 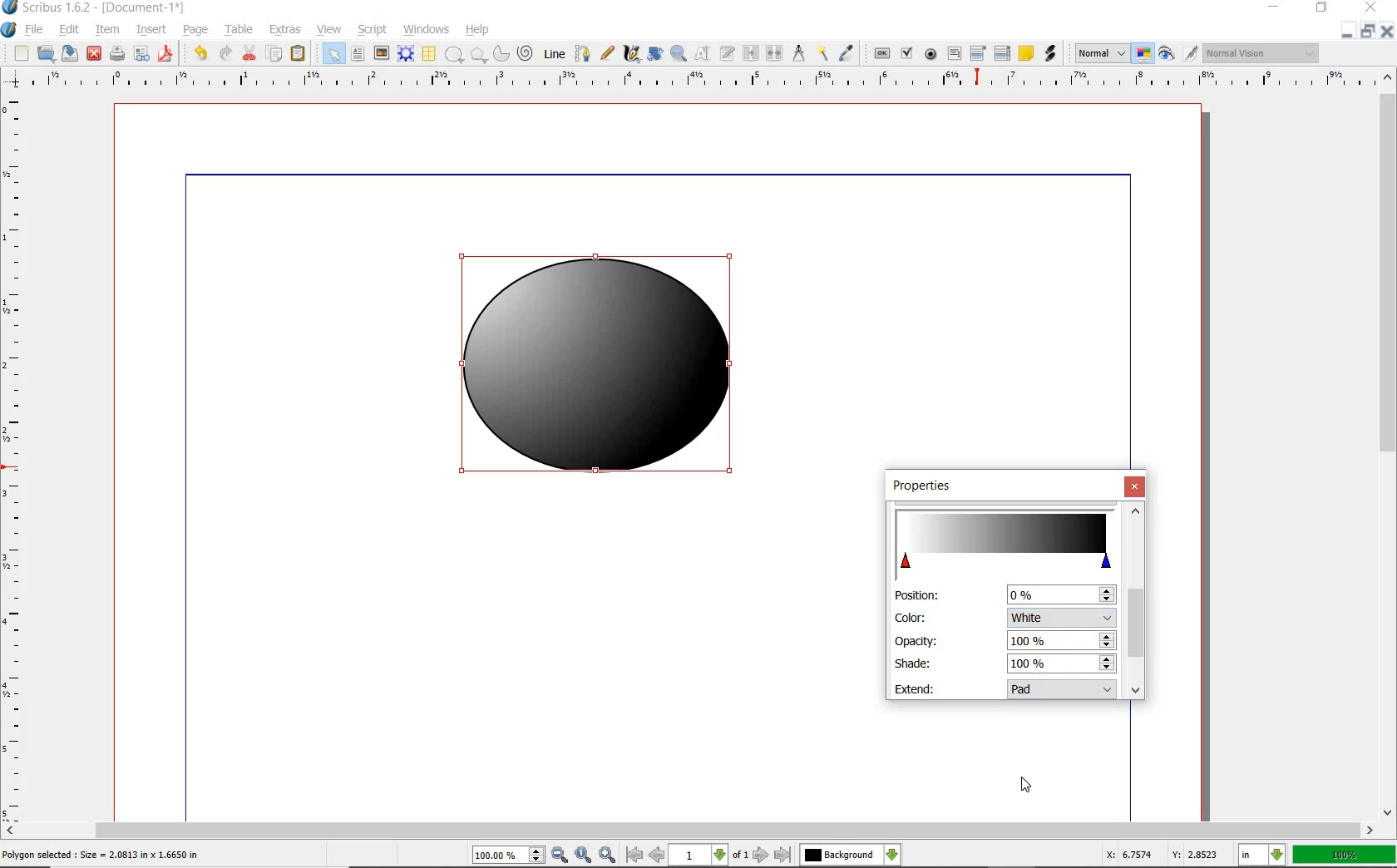 What do you see at coordinates (14, 461) in the screenshot?
I see `RULER` at bounding box center [14, 461].